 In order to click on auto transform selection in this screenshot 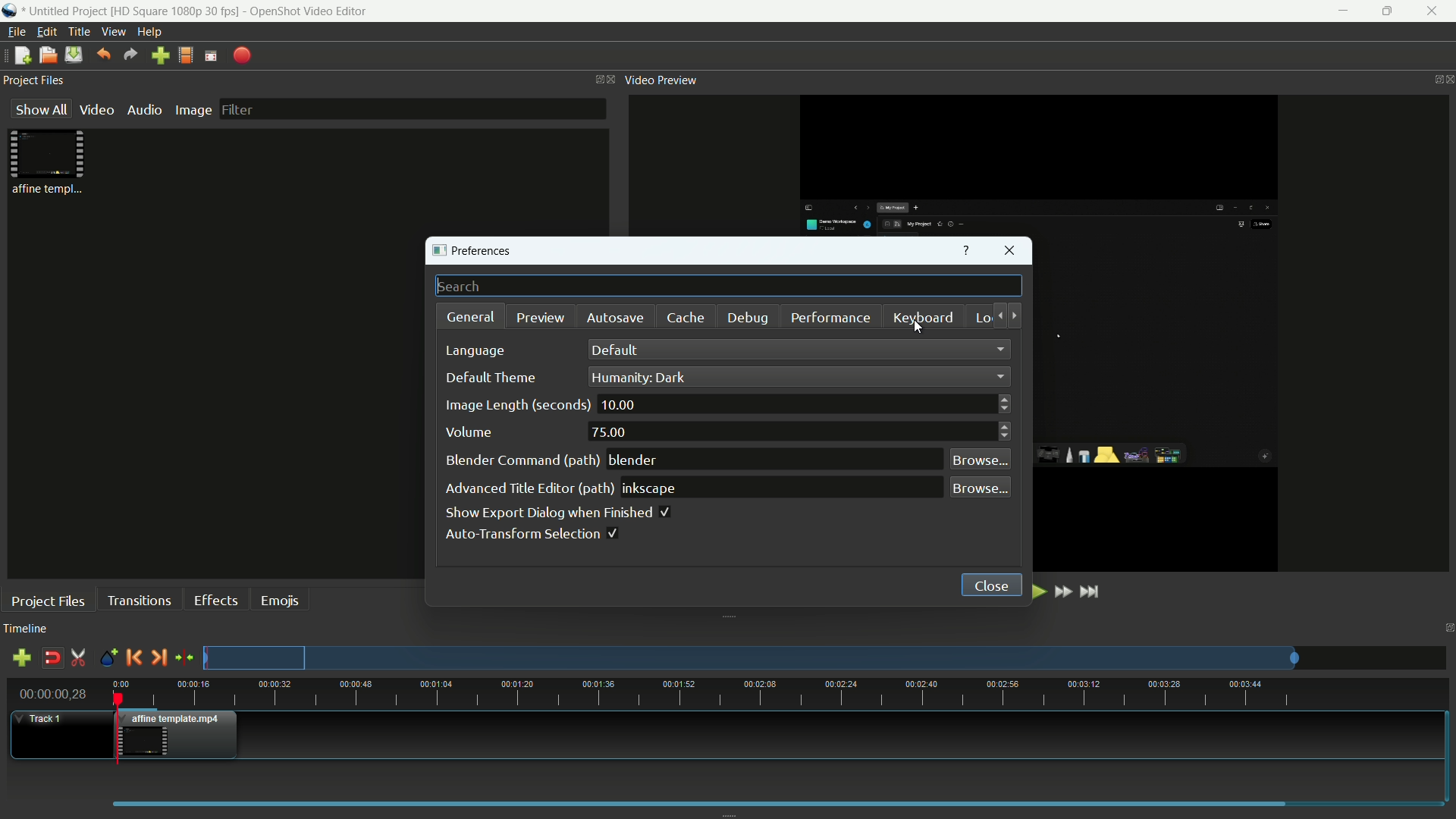, I will do `click(535, 534)`.